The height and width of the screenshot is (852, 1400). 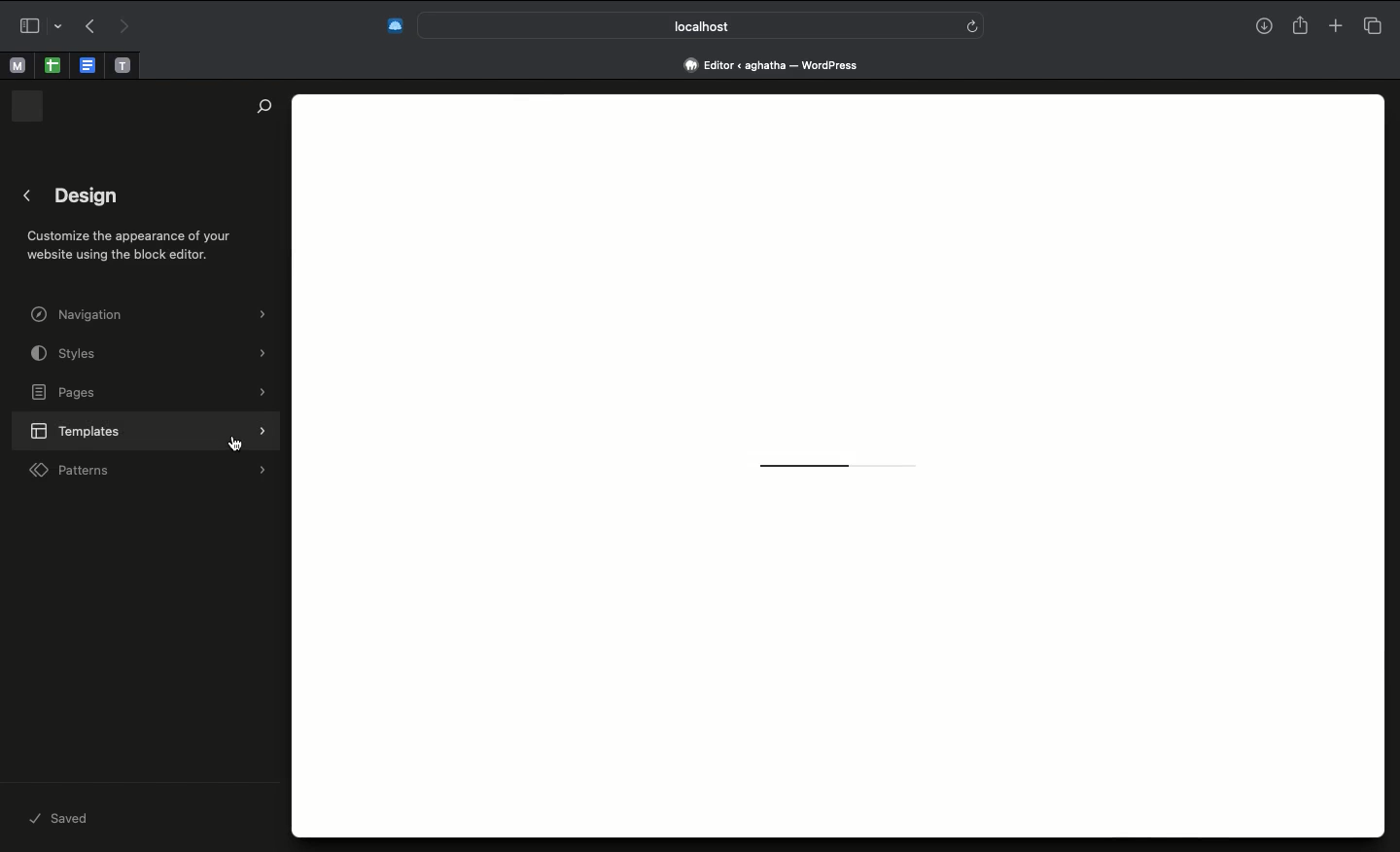 I want to click on Loading, so click(x=836, y=469).